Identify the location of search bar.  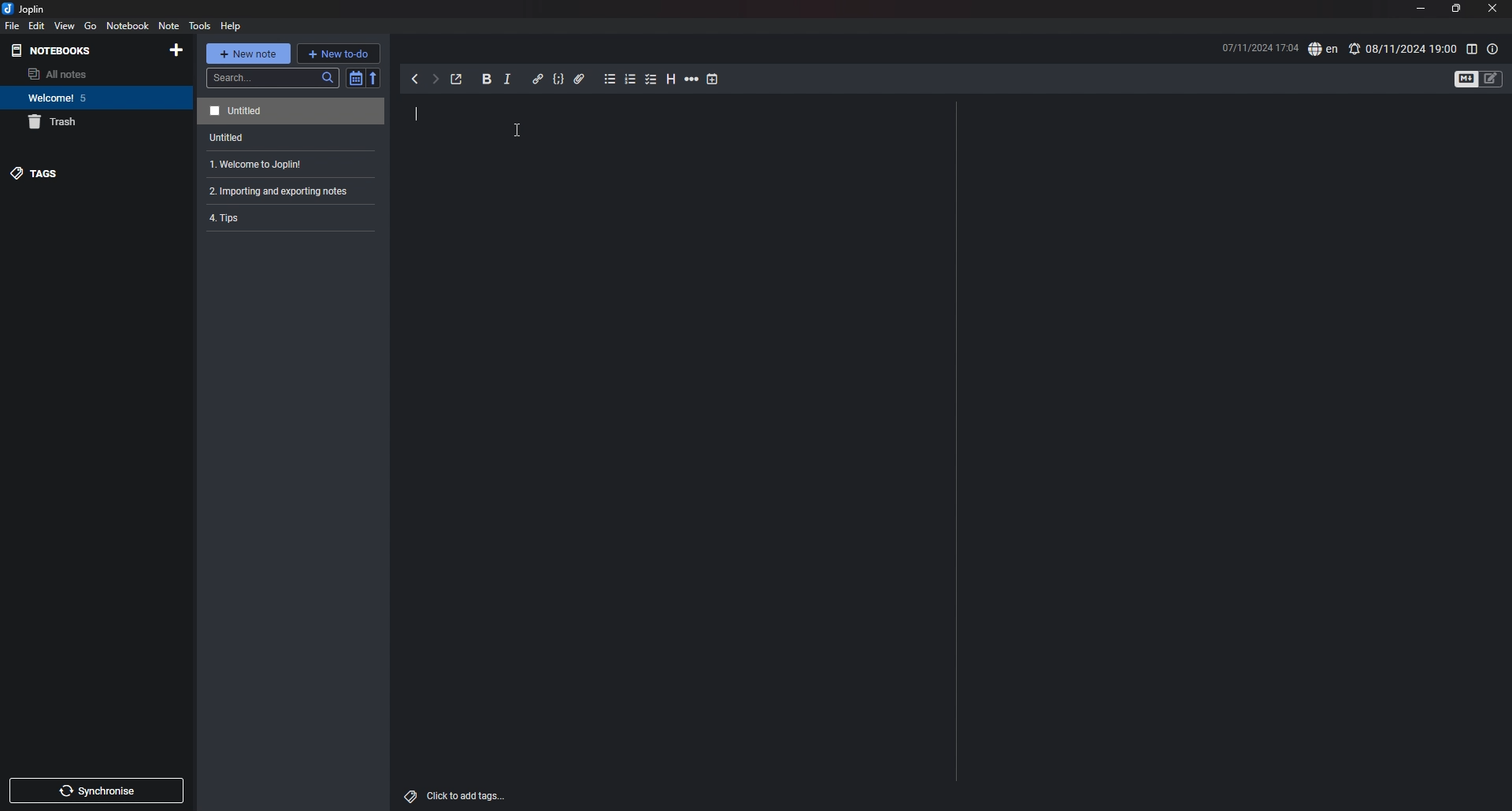
(272, 78).